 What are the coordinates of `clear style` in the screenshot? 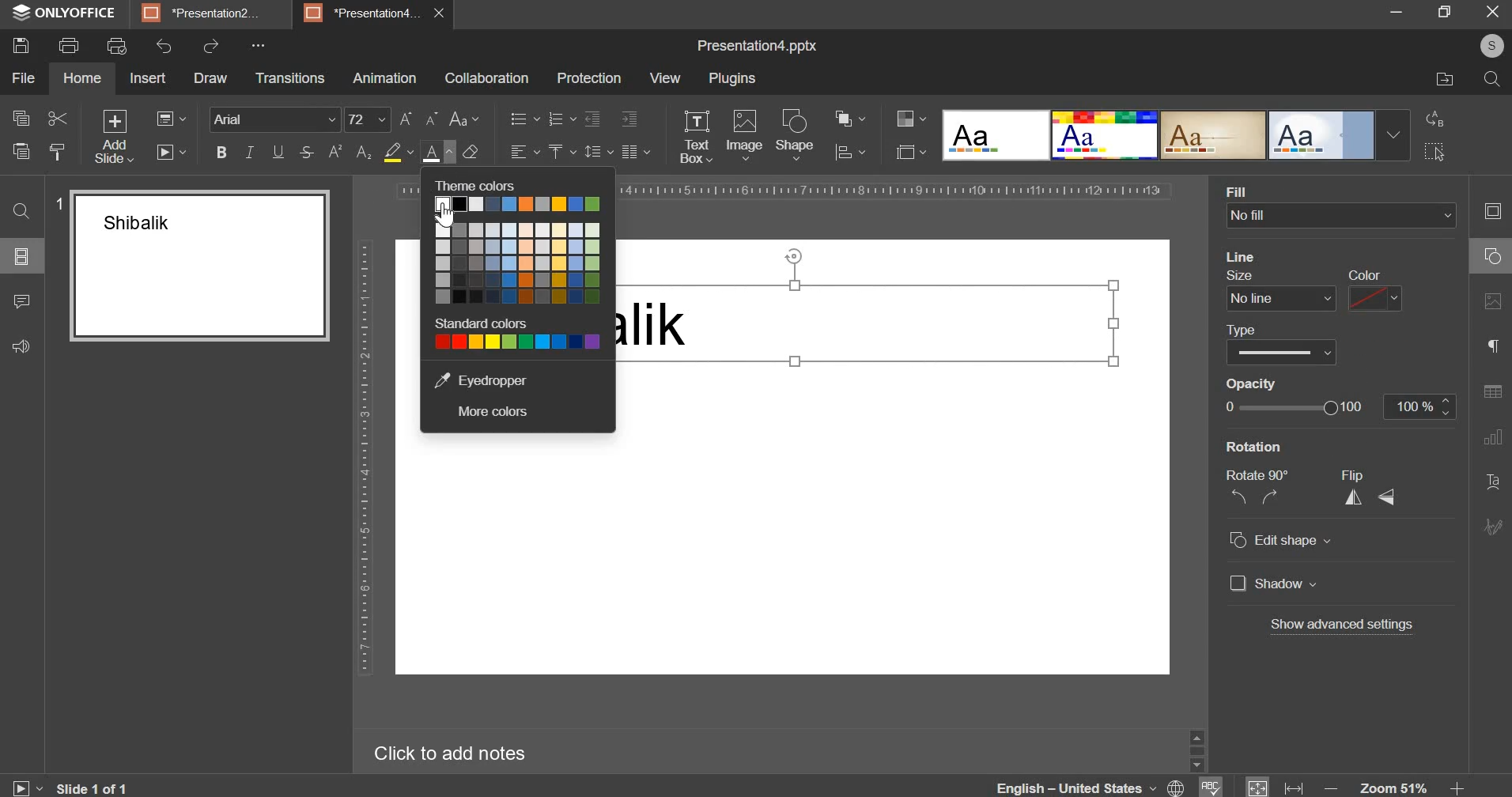 It's located at (471, 151).